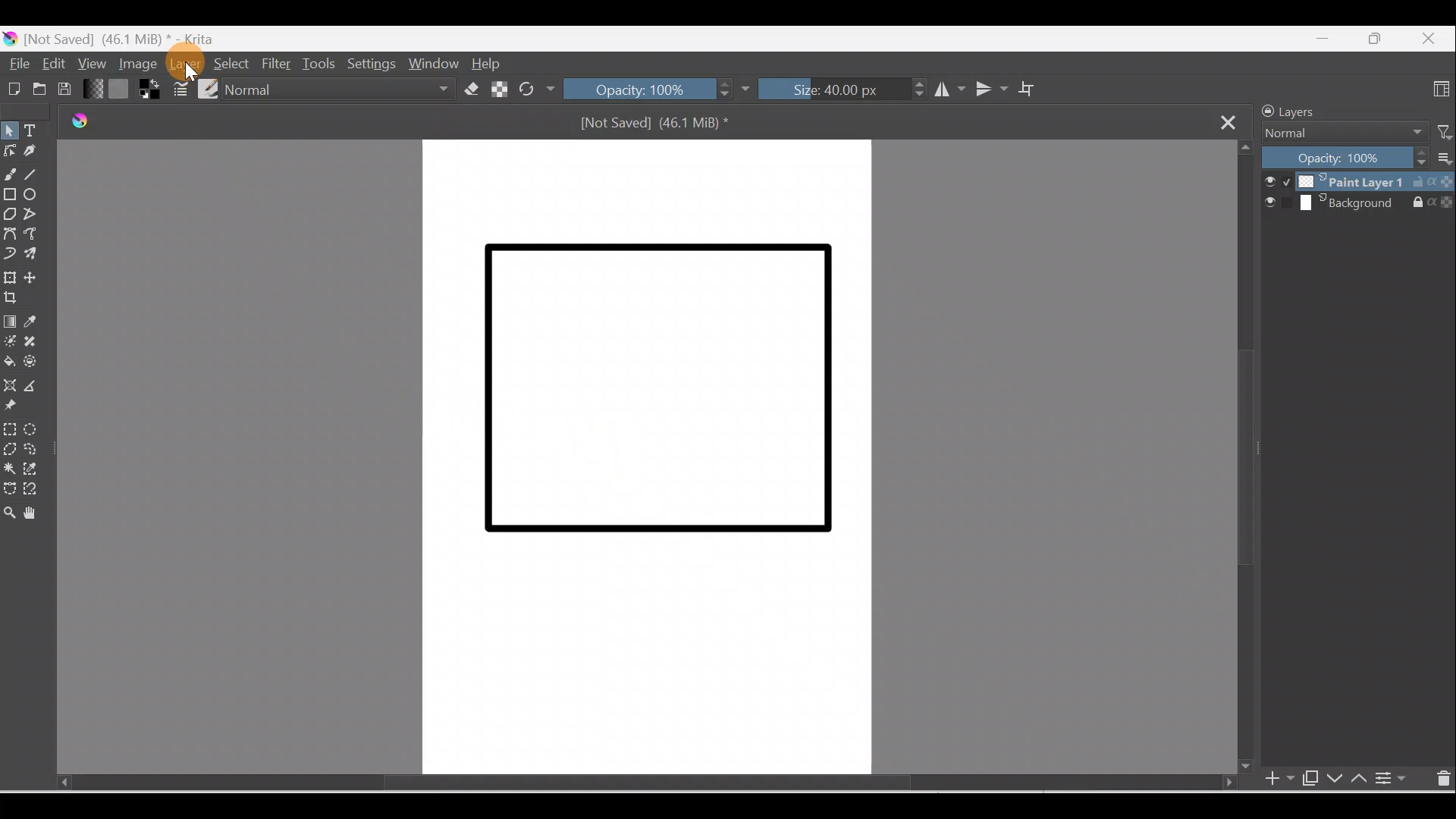 The height and width of the screenshot is (819, 1456). Describe the element at coordinates (657, 90) in the screenshot. I see `Opacity: 100%` at that location.